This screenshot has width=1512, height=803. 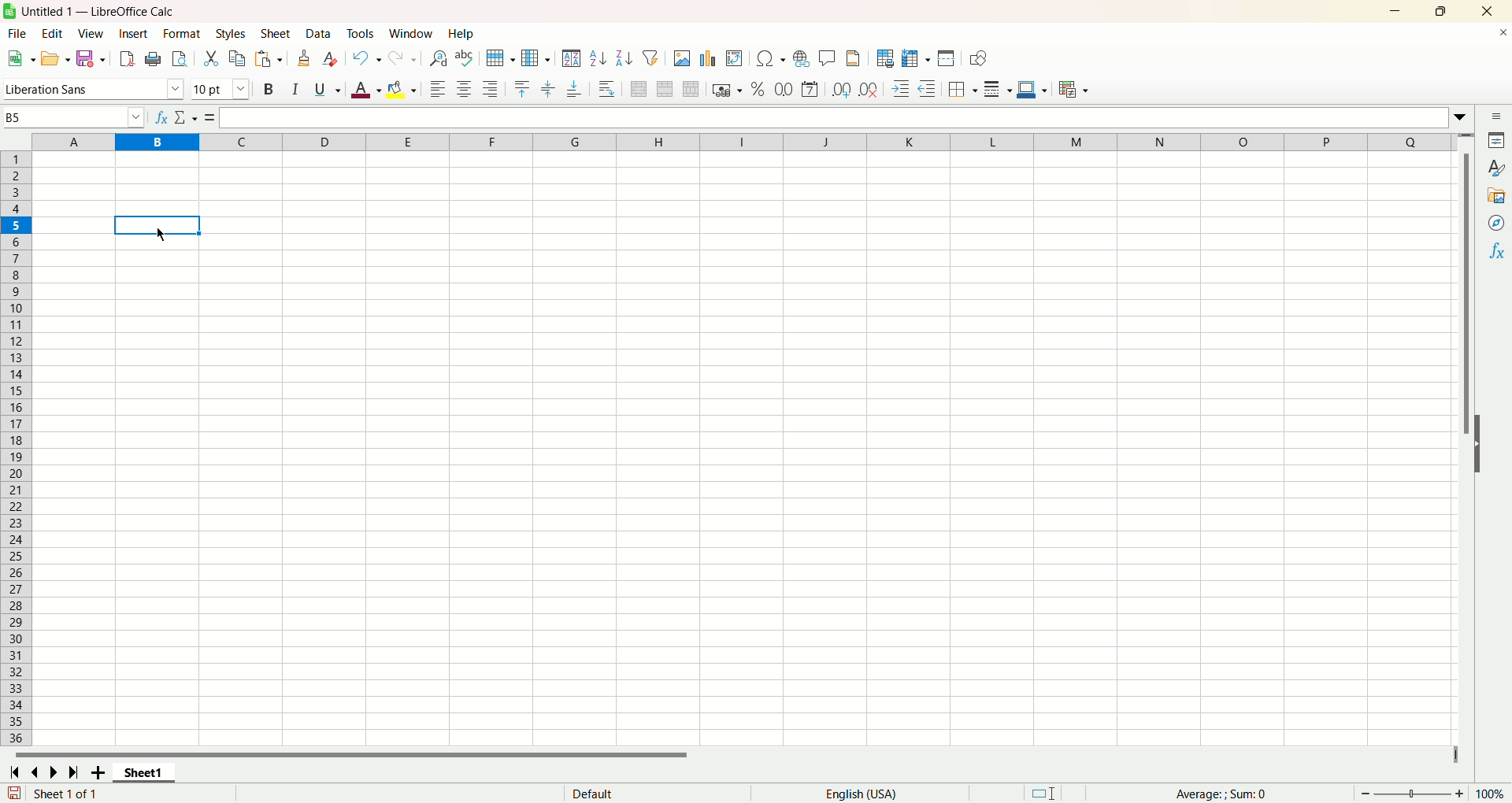 I want to click on underline, so click(x=325, y=89).